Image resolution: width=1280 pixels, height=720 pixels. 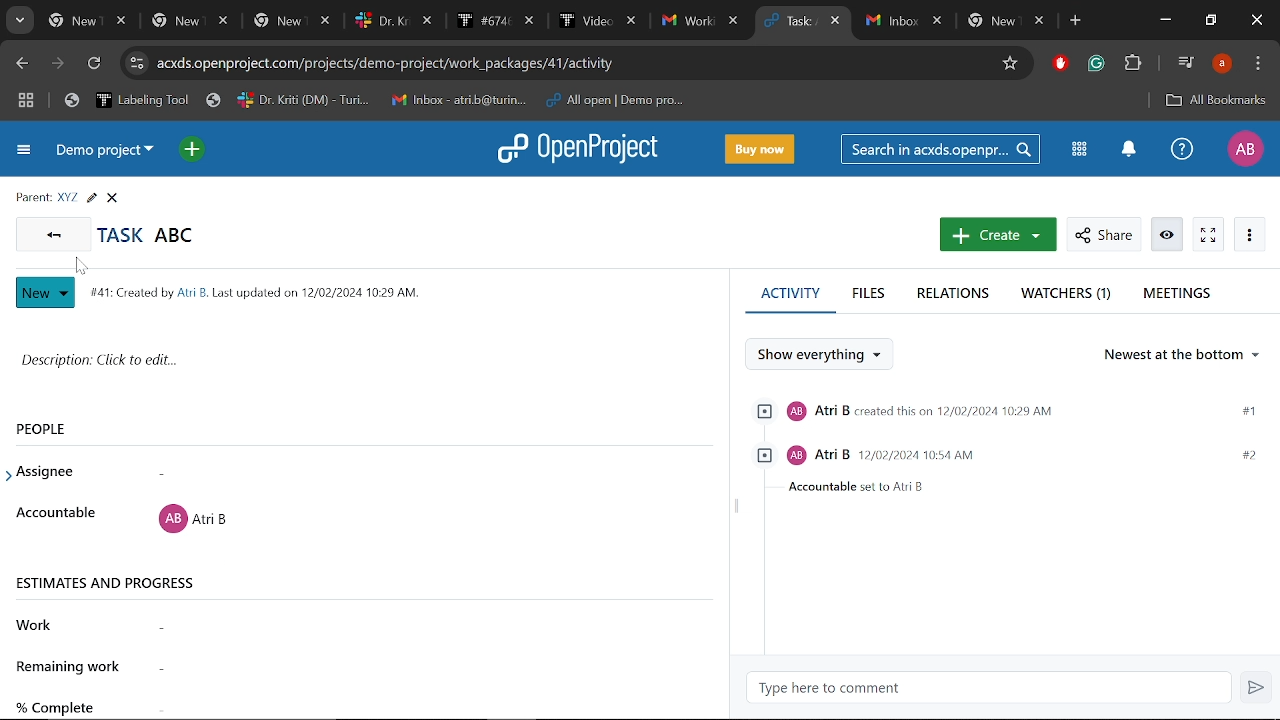 What do you see at coordinates (953, 294) in the screenshot?
I see `Relations` at bounding box center [953, 294].